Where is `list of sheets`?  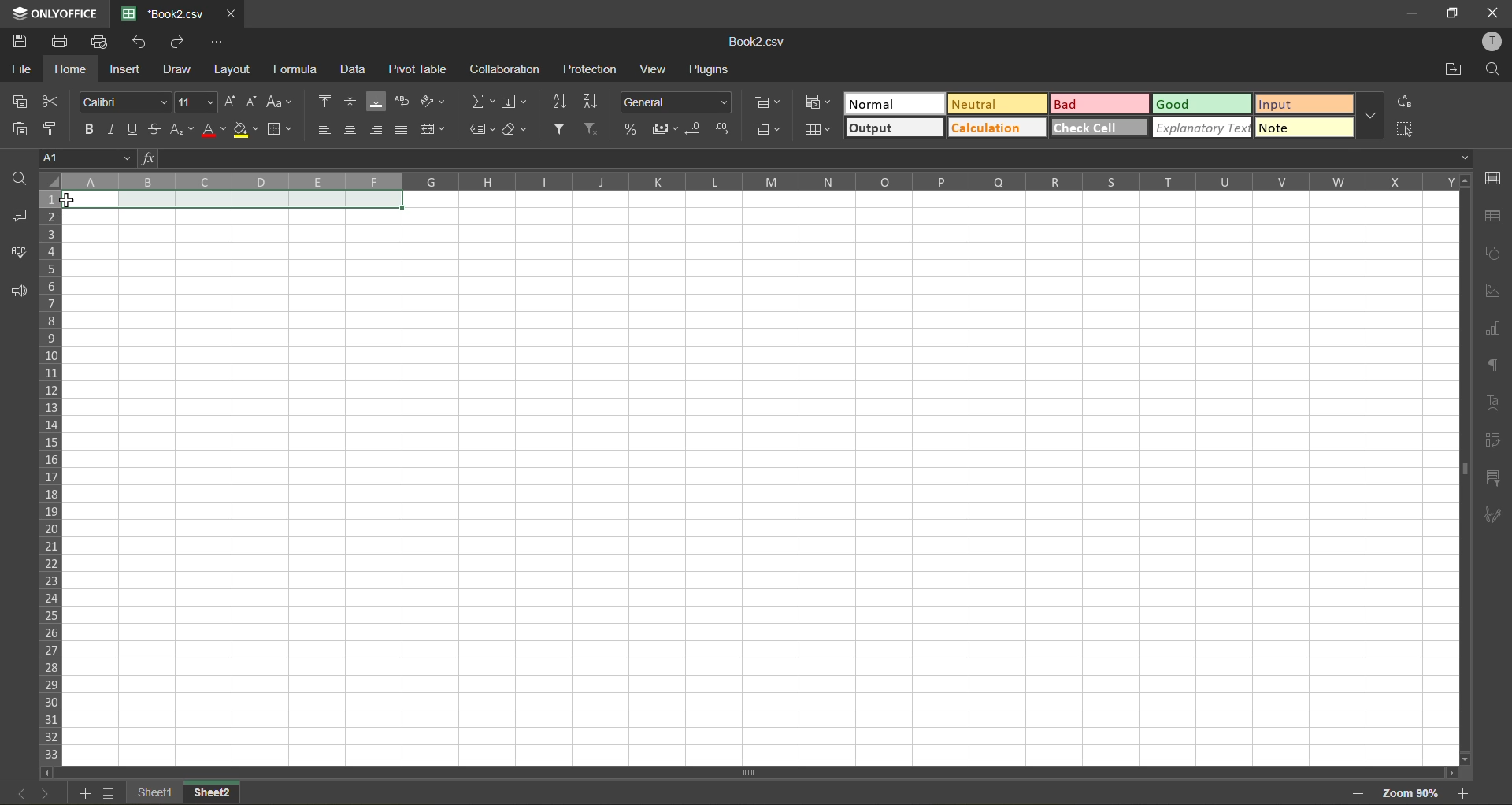
list of sheets is located at coordinates (110, 793).